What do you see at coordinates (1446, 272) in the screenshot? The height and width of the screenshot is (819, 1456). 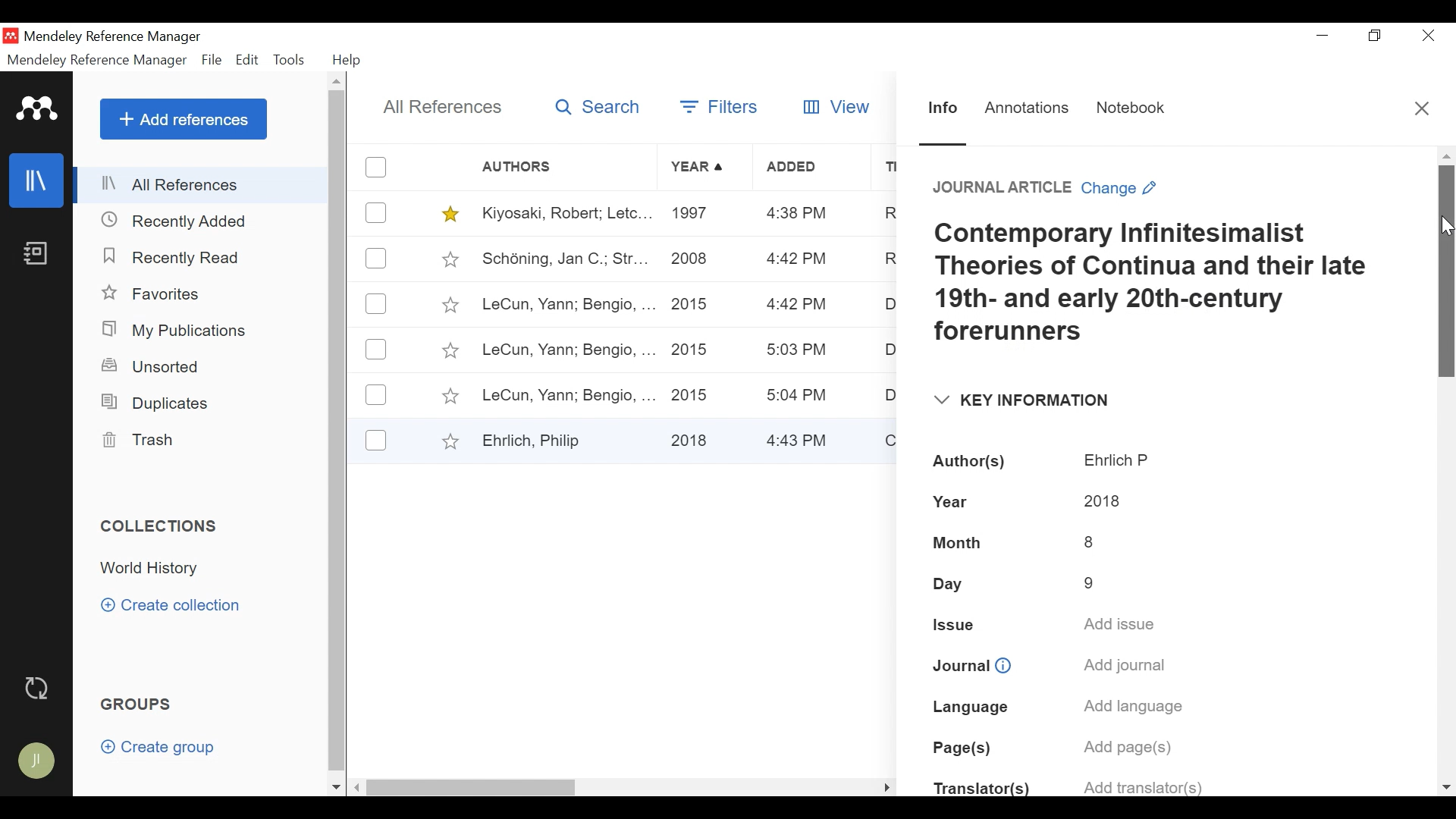 I see `Vertical Scroll bar` at bounding box center [1446, 272].